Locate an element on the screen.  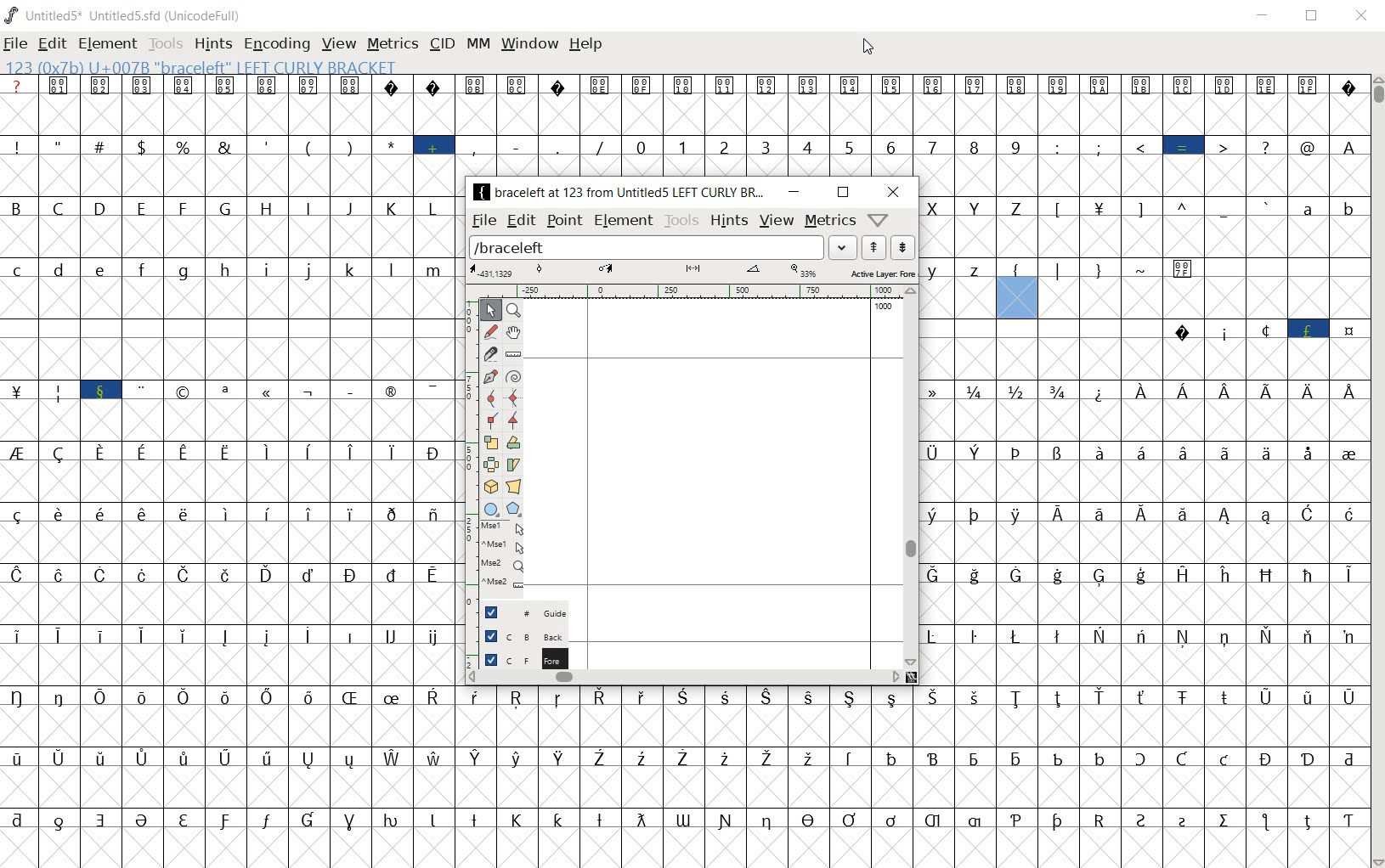
close is located at coordinates (892, 193).